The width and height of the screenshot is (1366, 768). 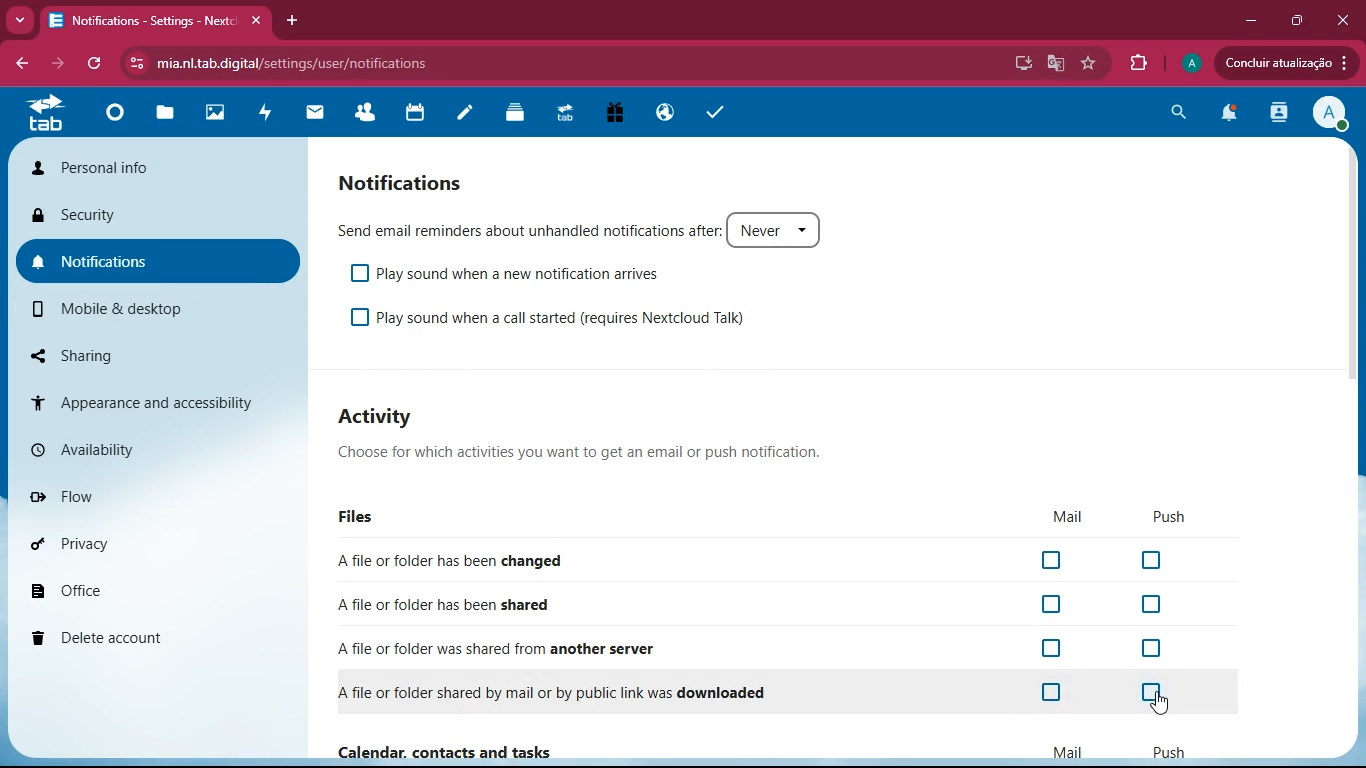 I want to click on Play sound when a new notification arrives., so click(x=509, y=273).